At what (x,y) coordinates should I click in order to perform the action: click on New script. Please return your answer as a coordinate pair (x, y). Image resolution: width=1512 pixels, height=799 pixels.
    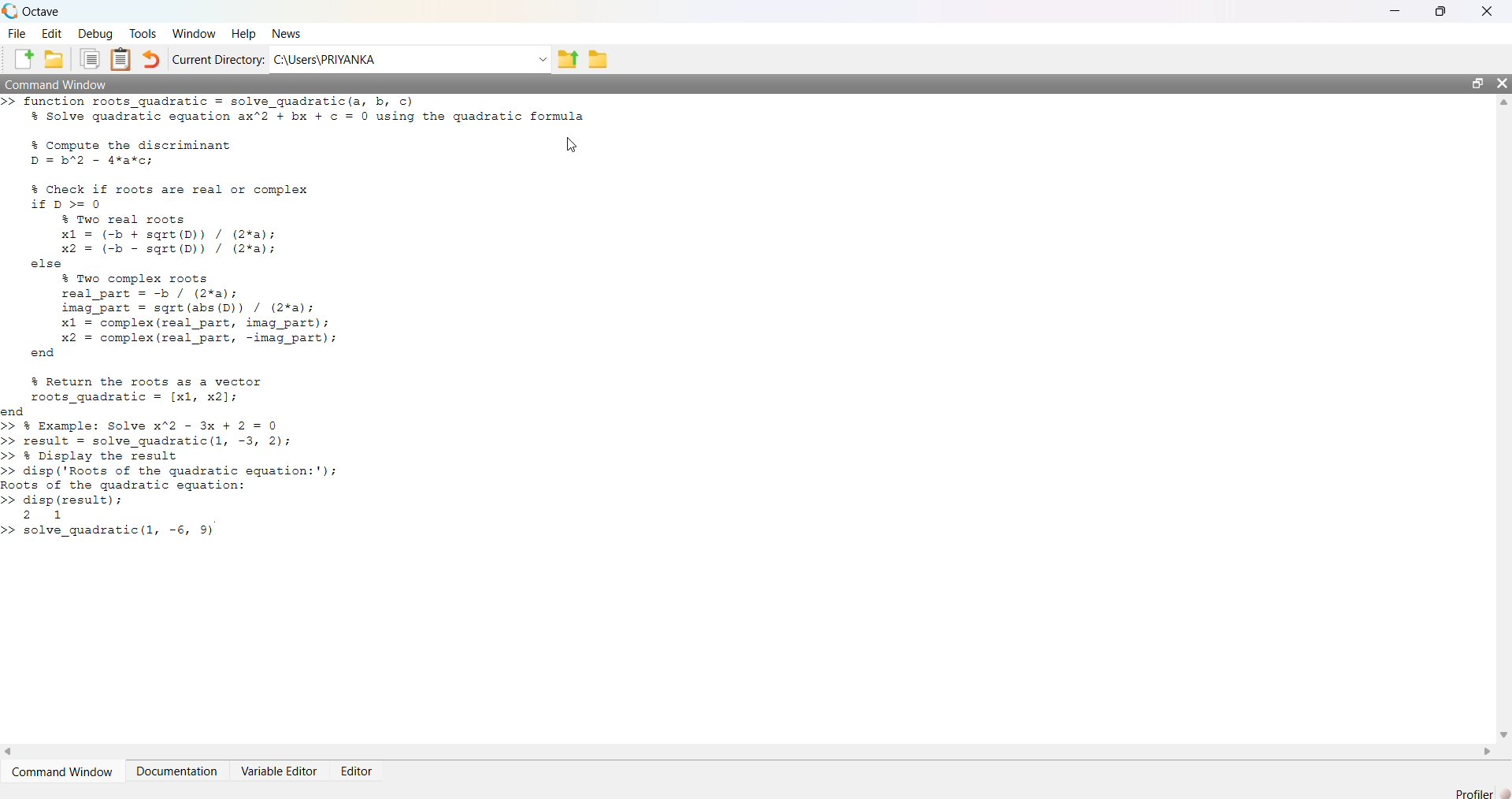
    Looking at the image, I should click on (24, 59).